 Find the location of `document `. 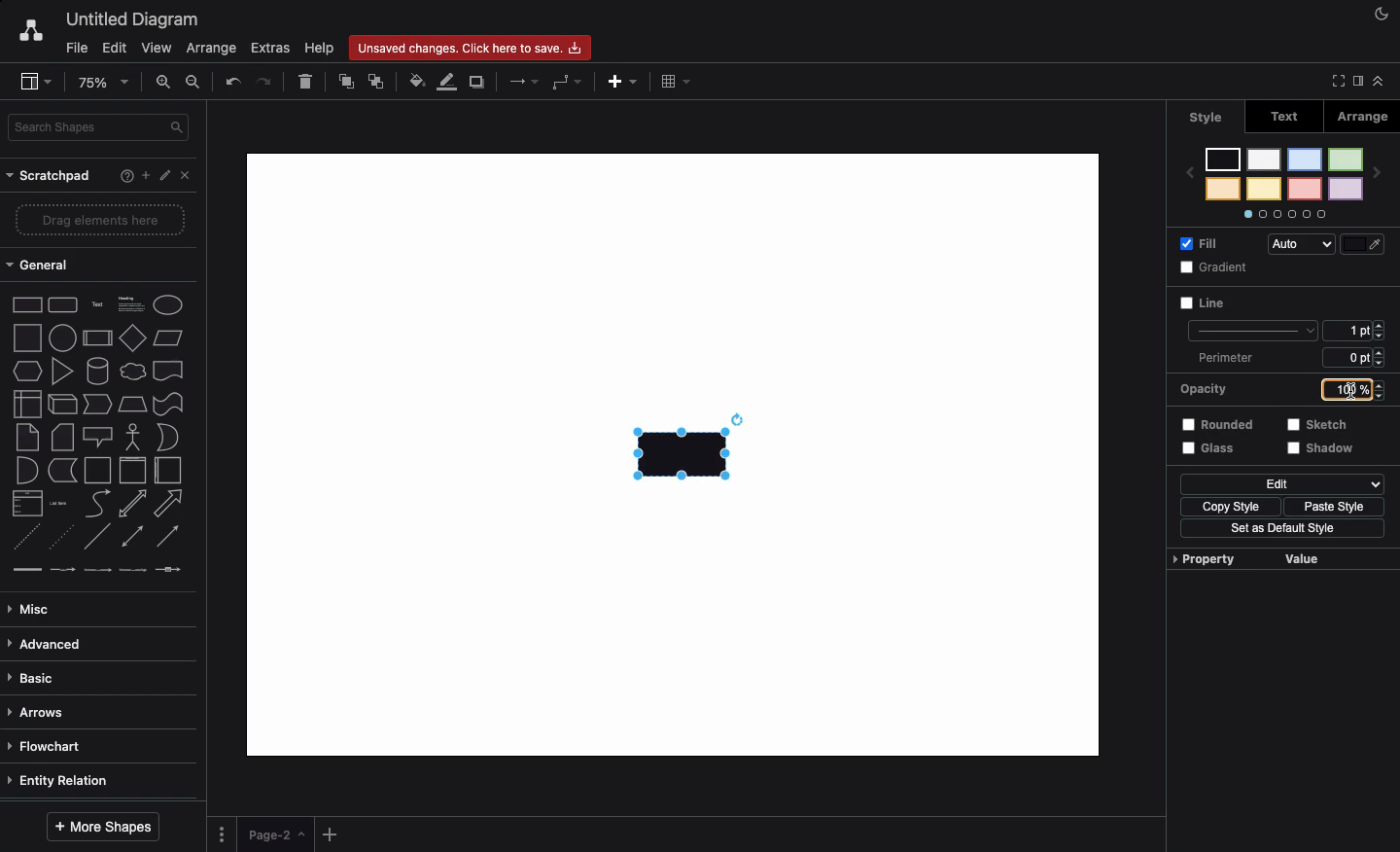

document  is located at coordinates (168, 371).